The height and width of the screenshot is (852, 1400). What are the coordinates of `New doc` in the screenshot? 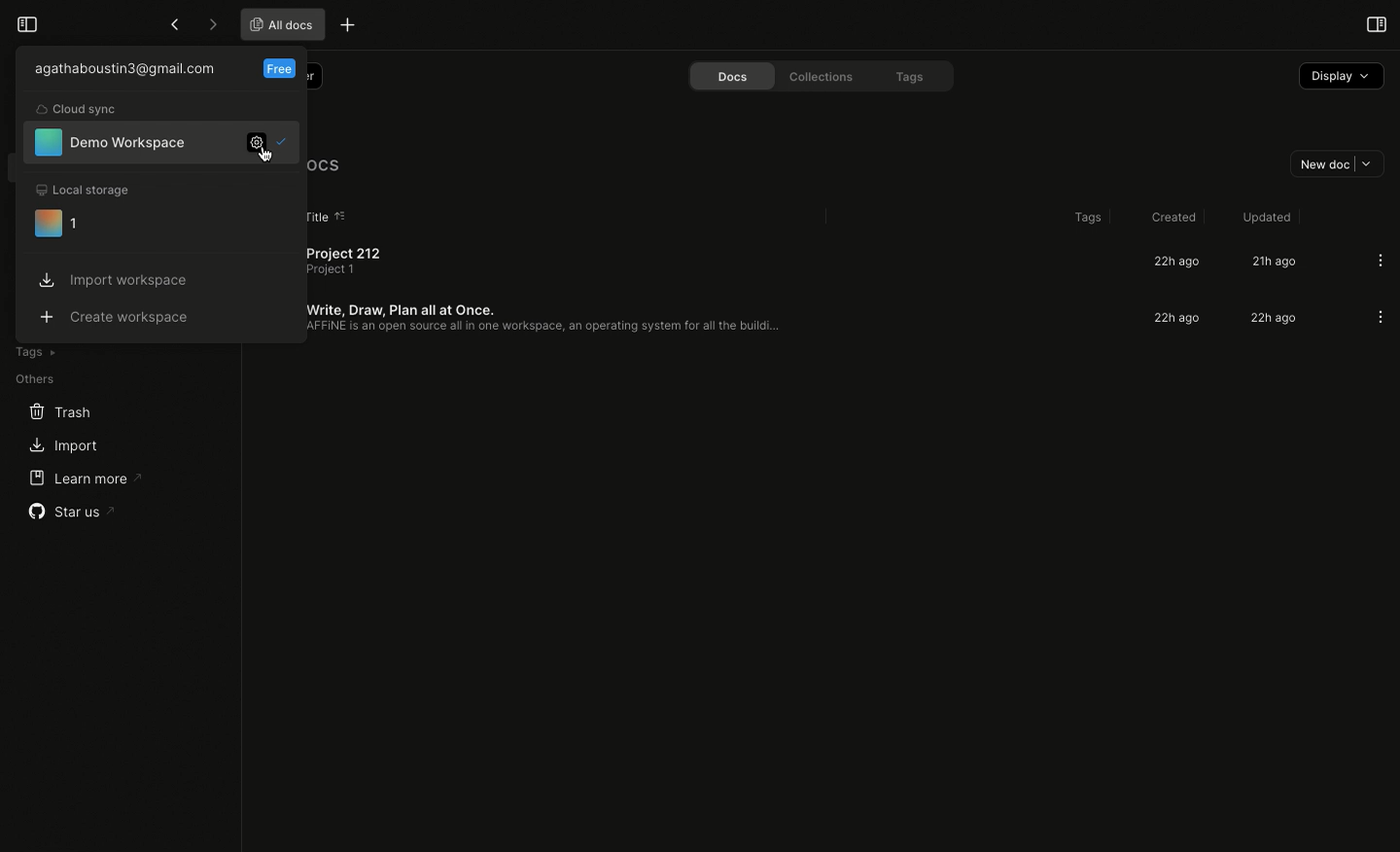 It's located at (1333, 162).